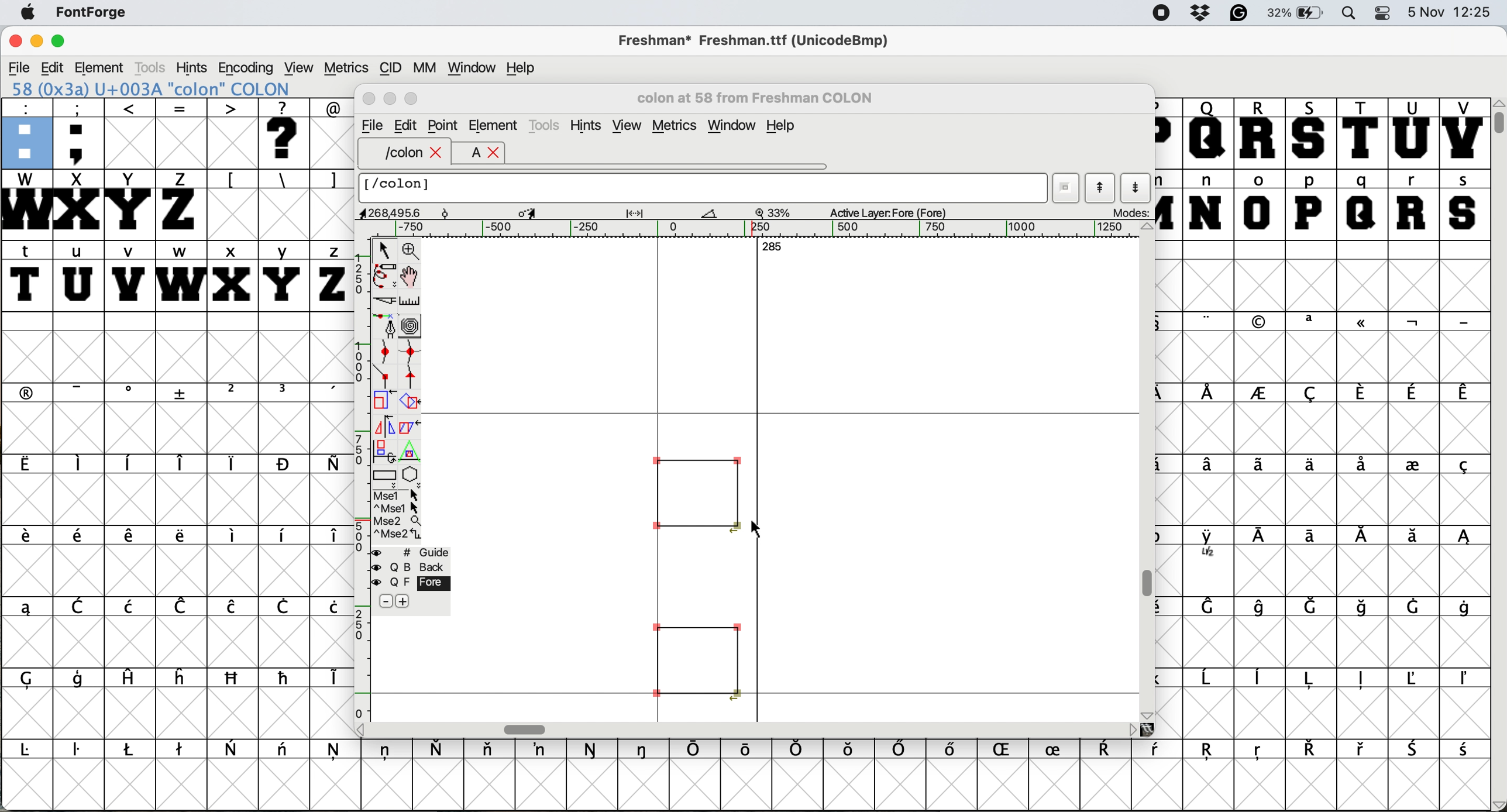 The image size is (1507, 812). I want to click on :, so click(25, 132).